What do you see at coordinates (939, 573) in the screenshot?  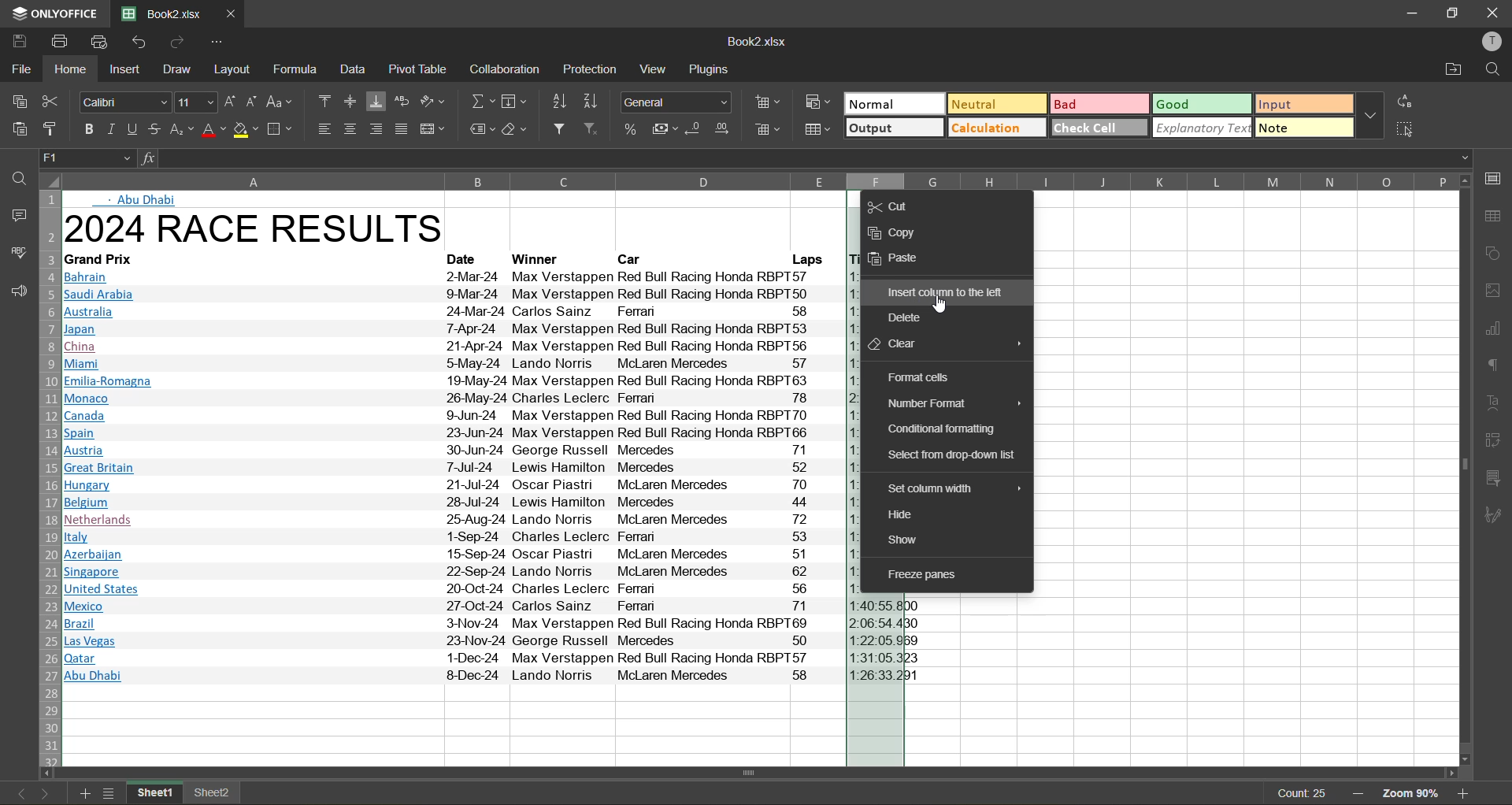 I see `freeze panes` at bounding box center [939, 573].